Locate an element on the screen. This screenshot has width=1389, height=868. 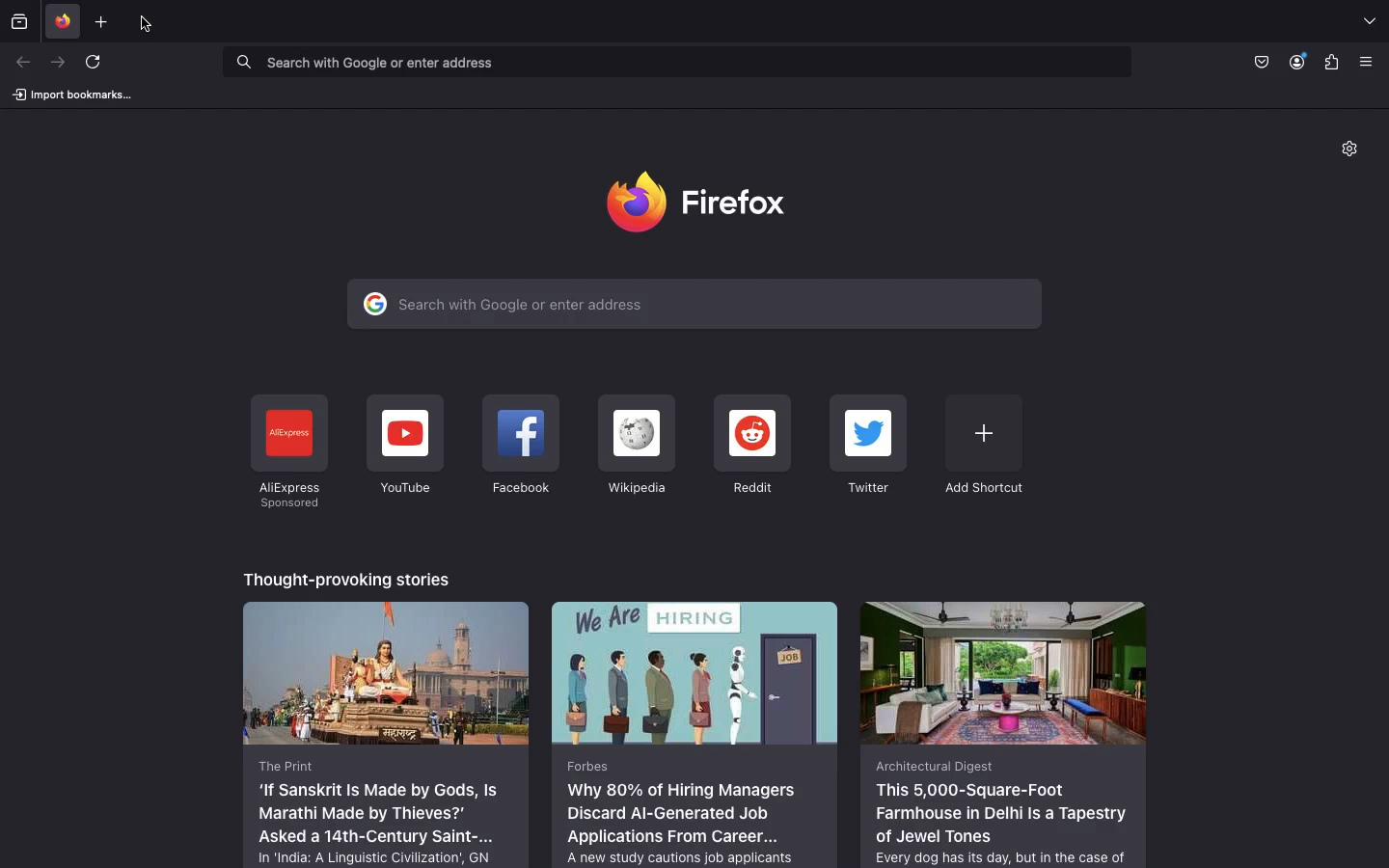
Moved to add new tab is located at coordinates (150, 23).